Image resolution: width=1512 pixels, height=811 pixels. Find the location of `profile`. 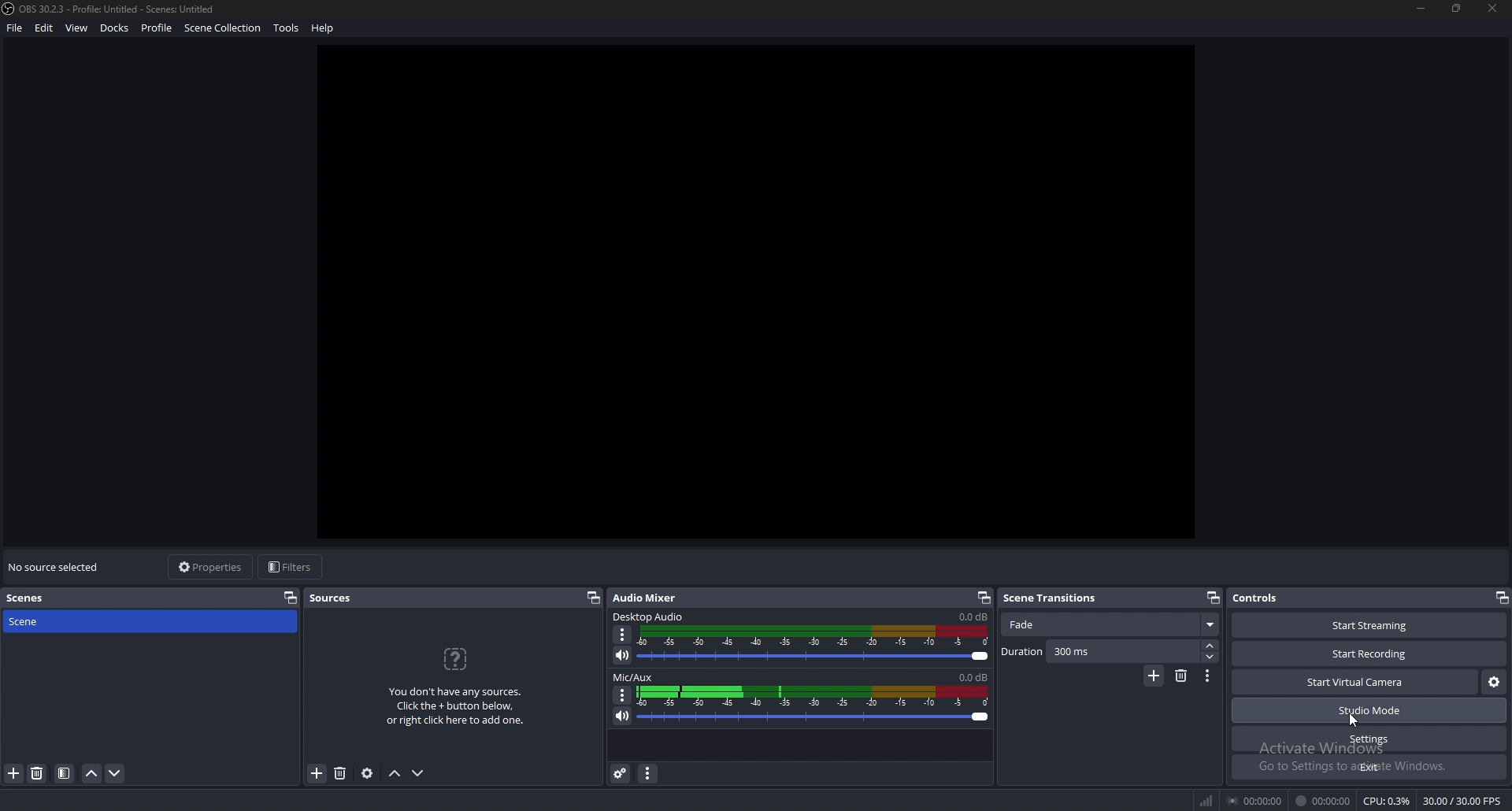

profile is located at coordinates (158, 28).